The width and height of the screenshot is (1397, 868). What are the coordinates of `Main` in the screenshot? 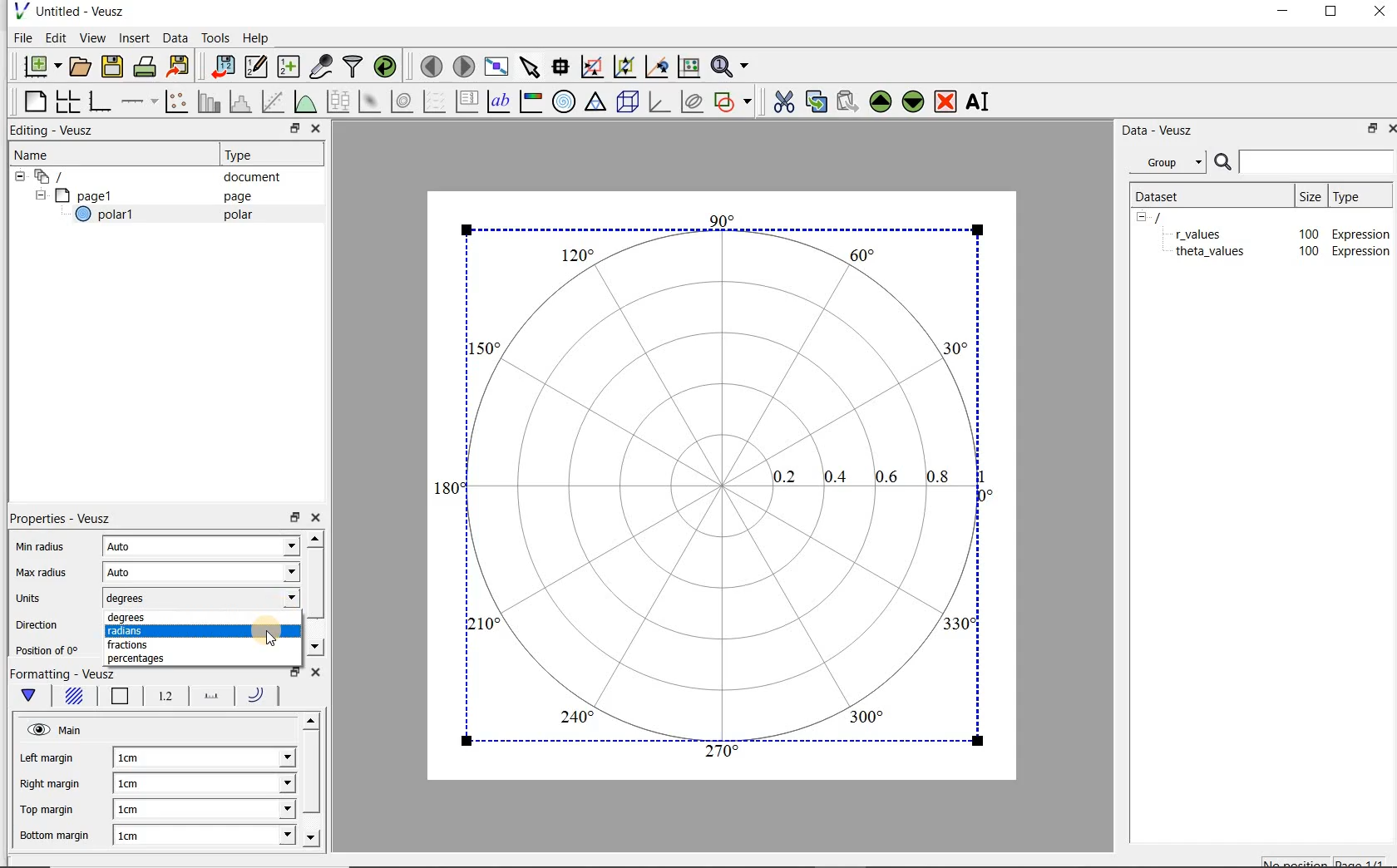 It's located at (75, 730).